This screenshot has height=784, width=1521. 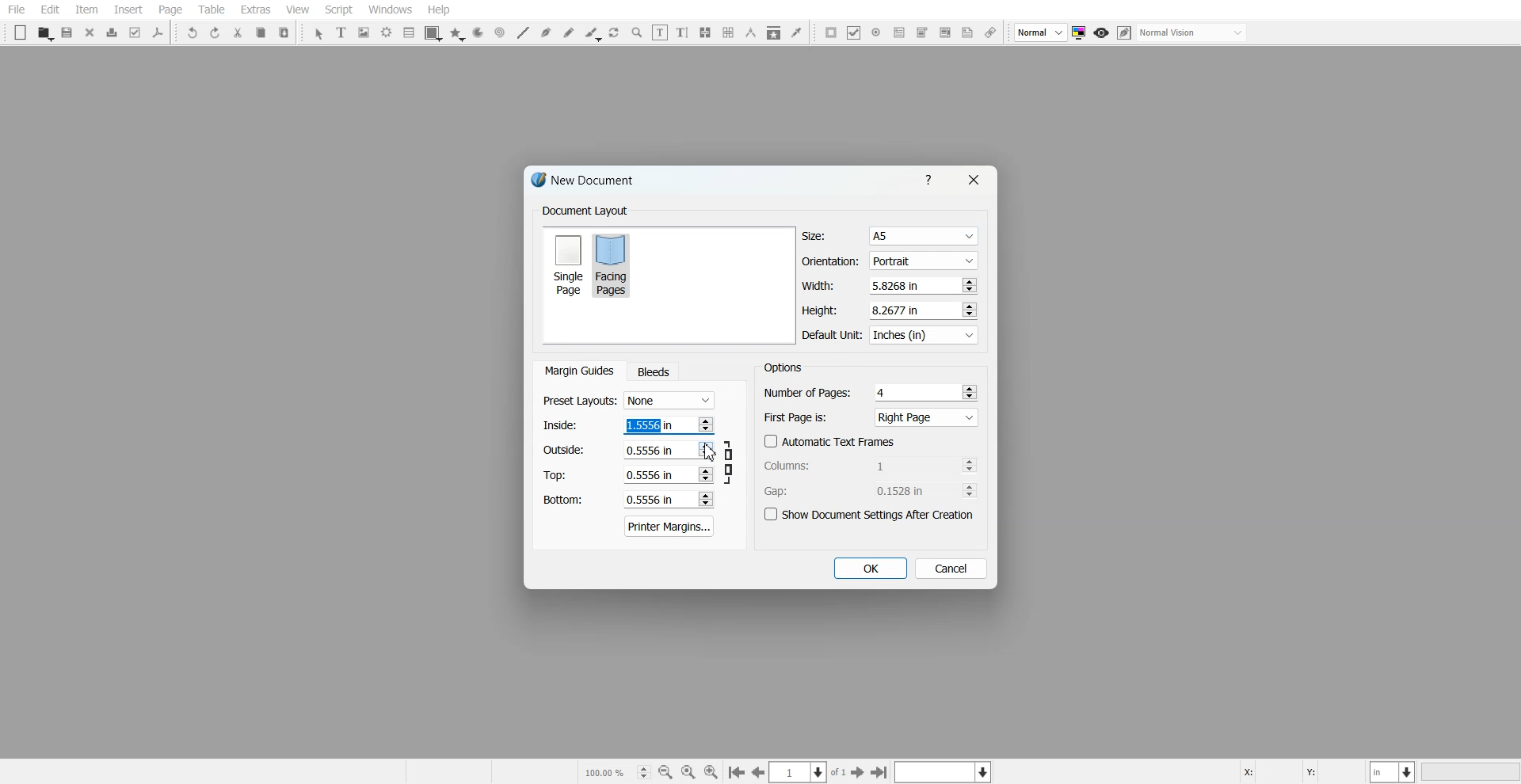 What do you see at coordinates (614, 265) in the screenshot?
I see `Facing Pages` at bounding box center [614, 265].